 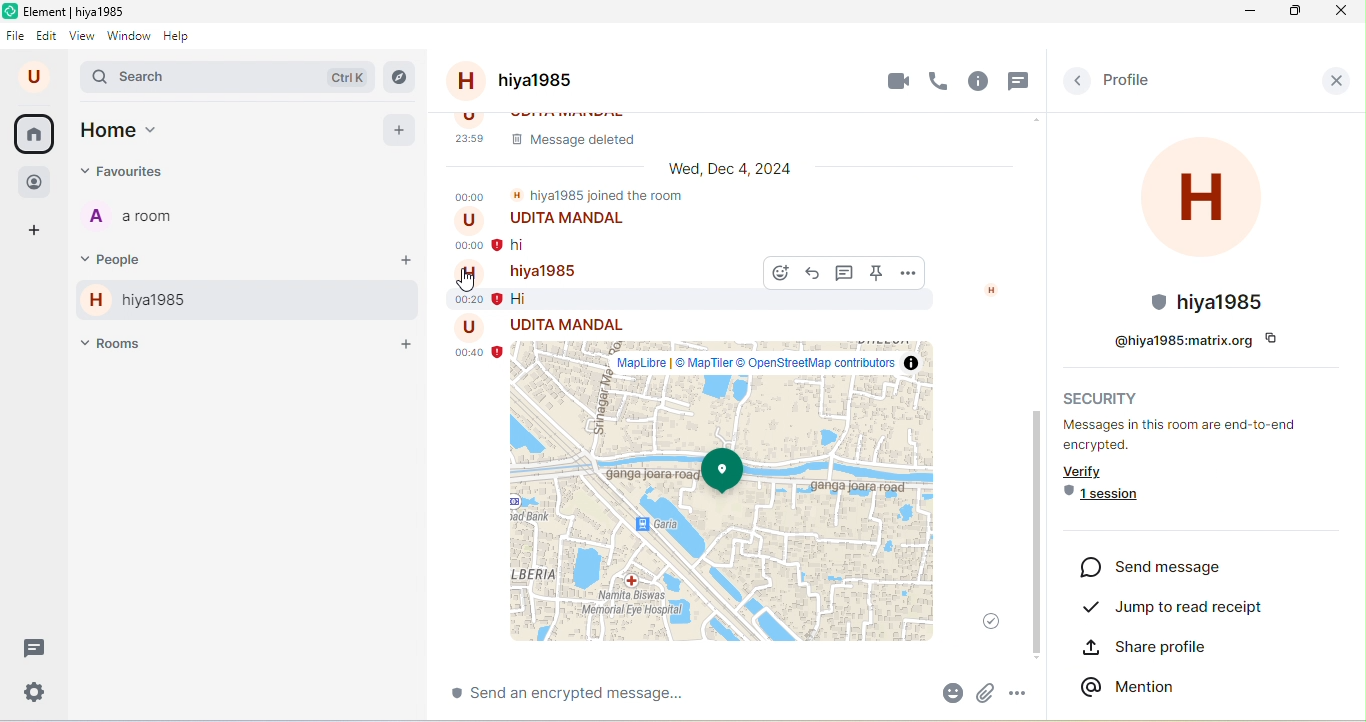 What do you see at coordinates (601, 285) in the screenshot?
I see `message from hiya 1985` at bounding box center [601, 285].